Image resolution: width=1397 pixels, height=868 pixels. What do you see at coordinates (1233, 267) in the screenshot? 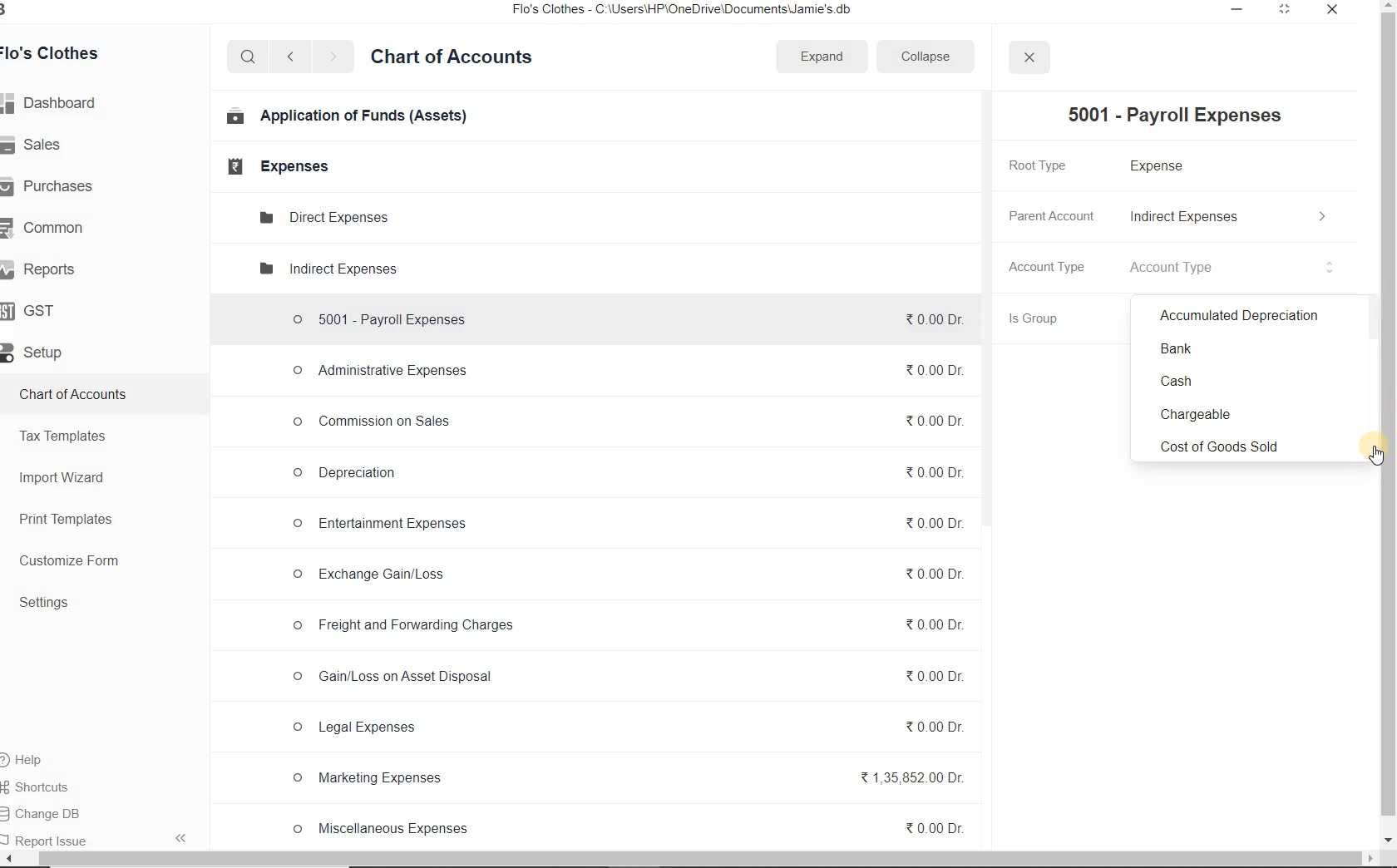
I see `Account Type` at bounding box center [1233, 267].